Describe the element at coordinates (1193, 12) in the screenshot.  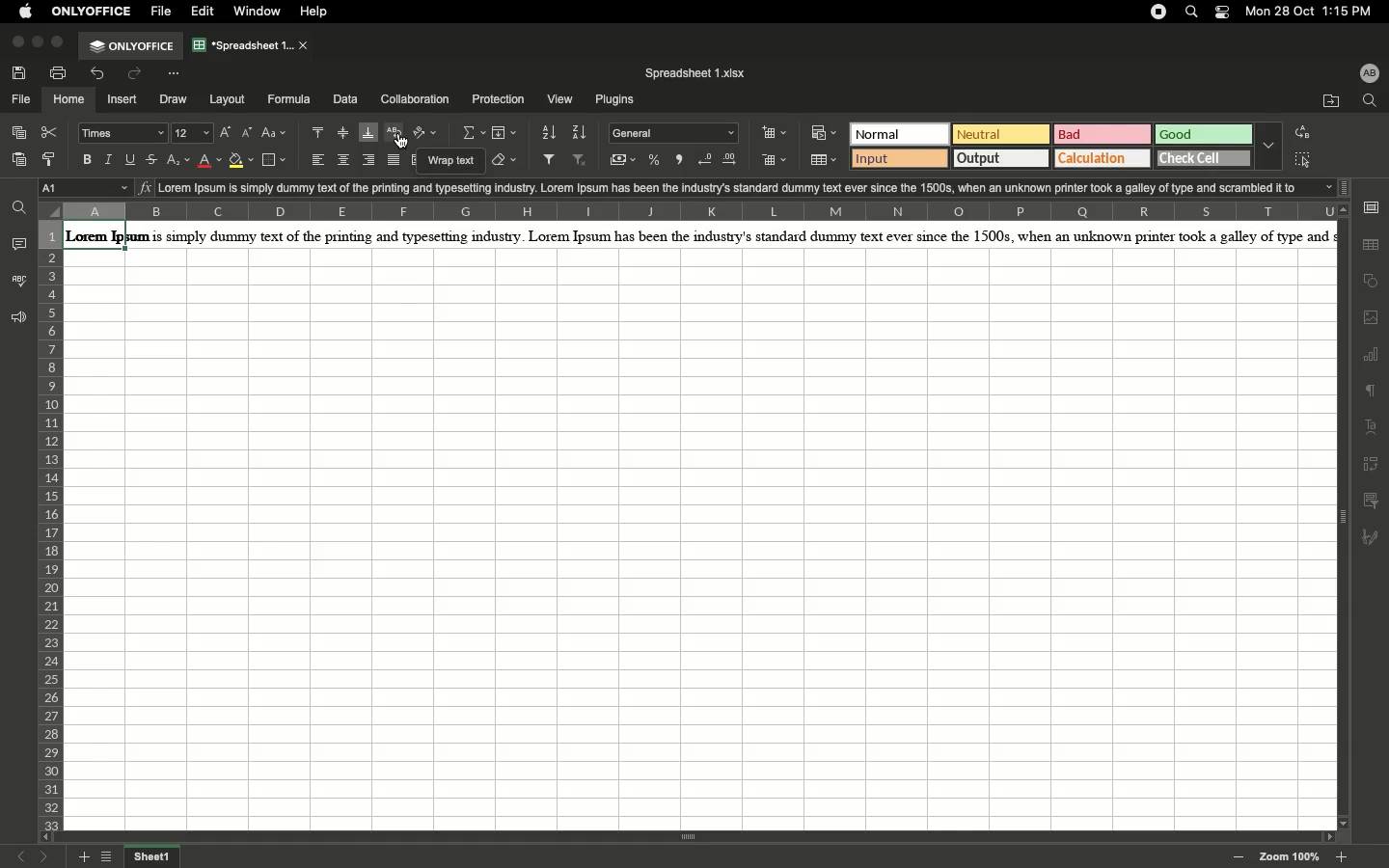
I see `Search` at that location.